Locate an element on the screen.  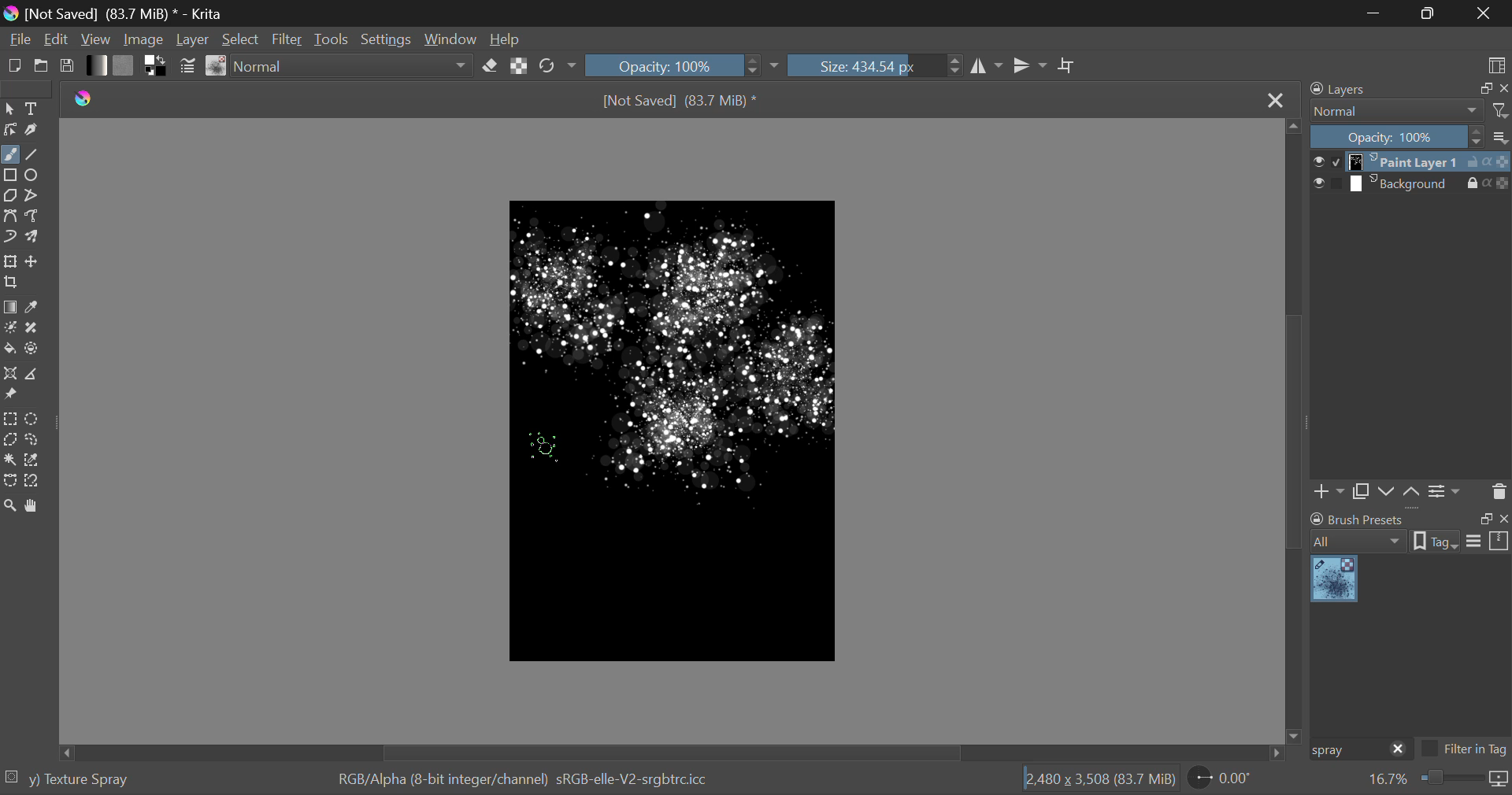
zoom slider is located at coordinates (1450, 779).